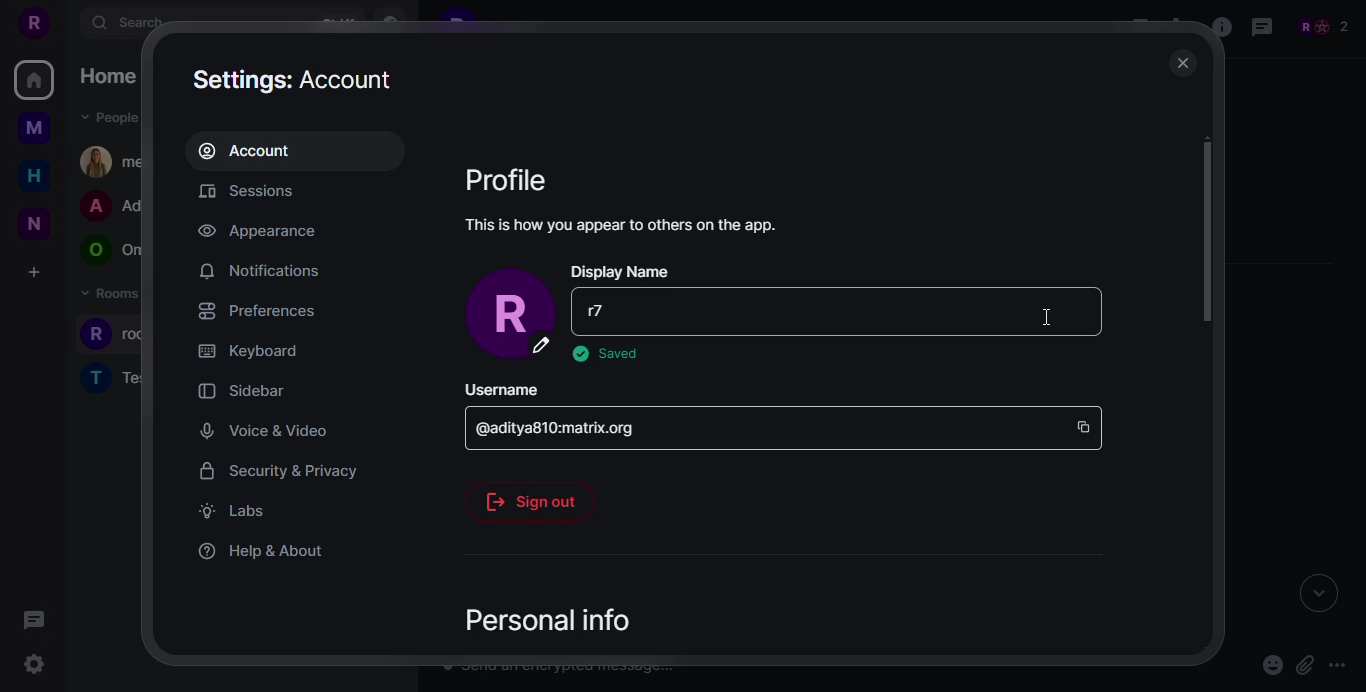 Image resolution: width=1366 pixels, height=692 pixels. Describe the element at coordinates (254, 309) in the screenshot. I see `preferences` at that location.